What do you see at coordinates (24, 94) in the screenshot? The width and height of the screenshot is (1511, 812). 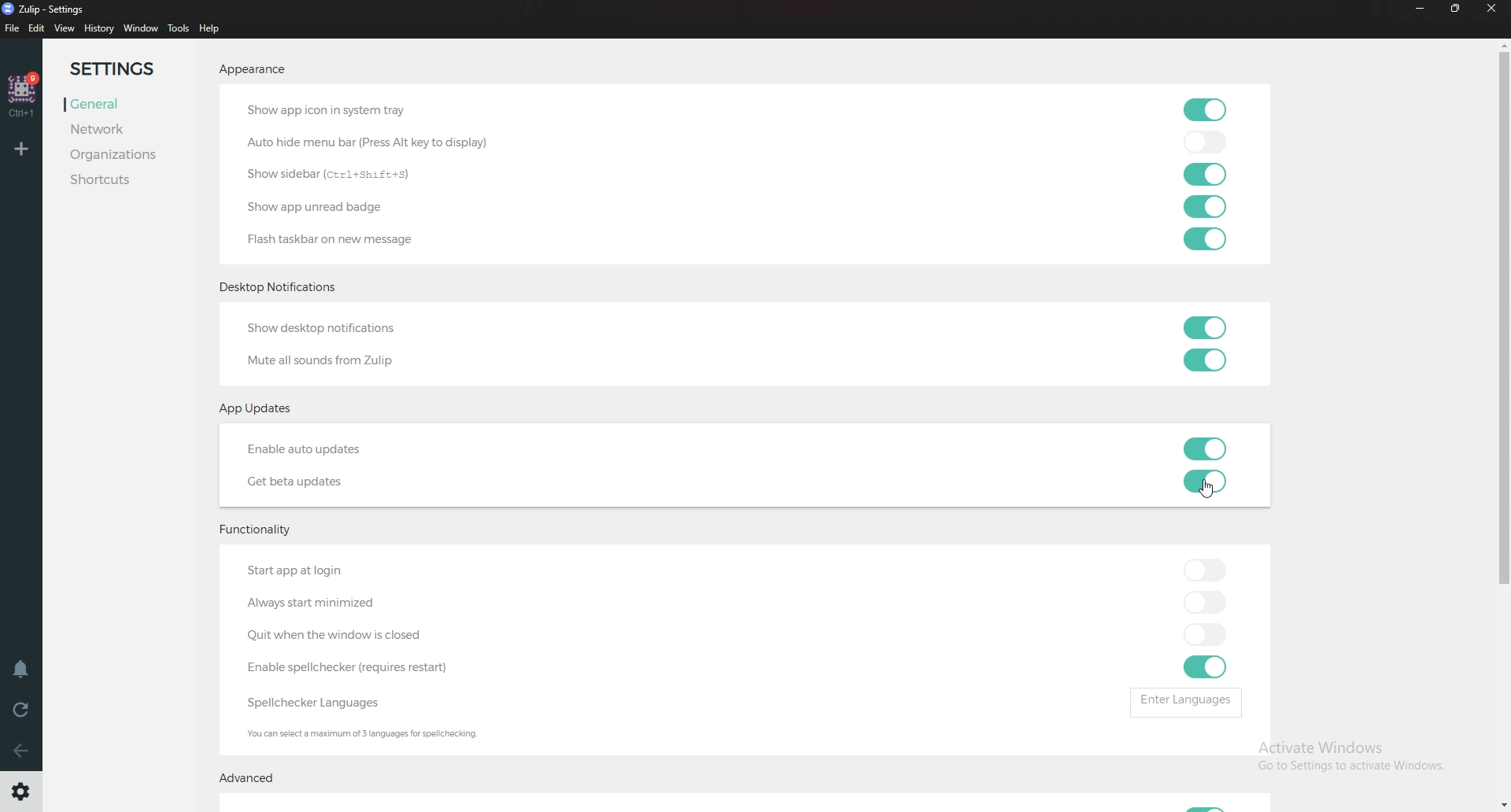 I see `home` at bounding box center [24, 94].